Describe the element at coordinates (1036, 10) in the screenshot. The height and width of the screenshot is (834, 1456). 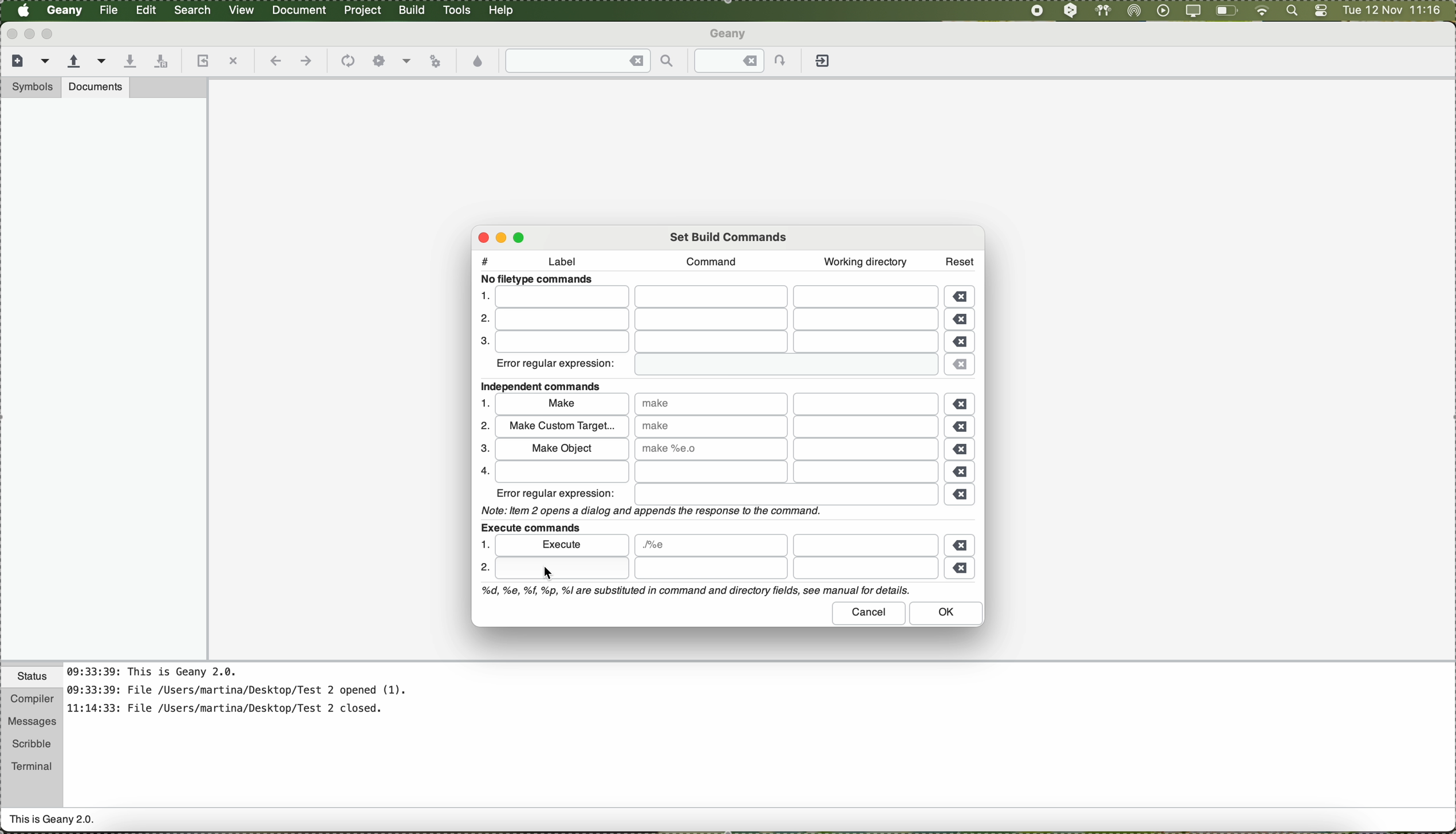
I see `stop recording` at that location.